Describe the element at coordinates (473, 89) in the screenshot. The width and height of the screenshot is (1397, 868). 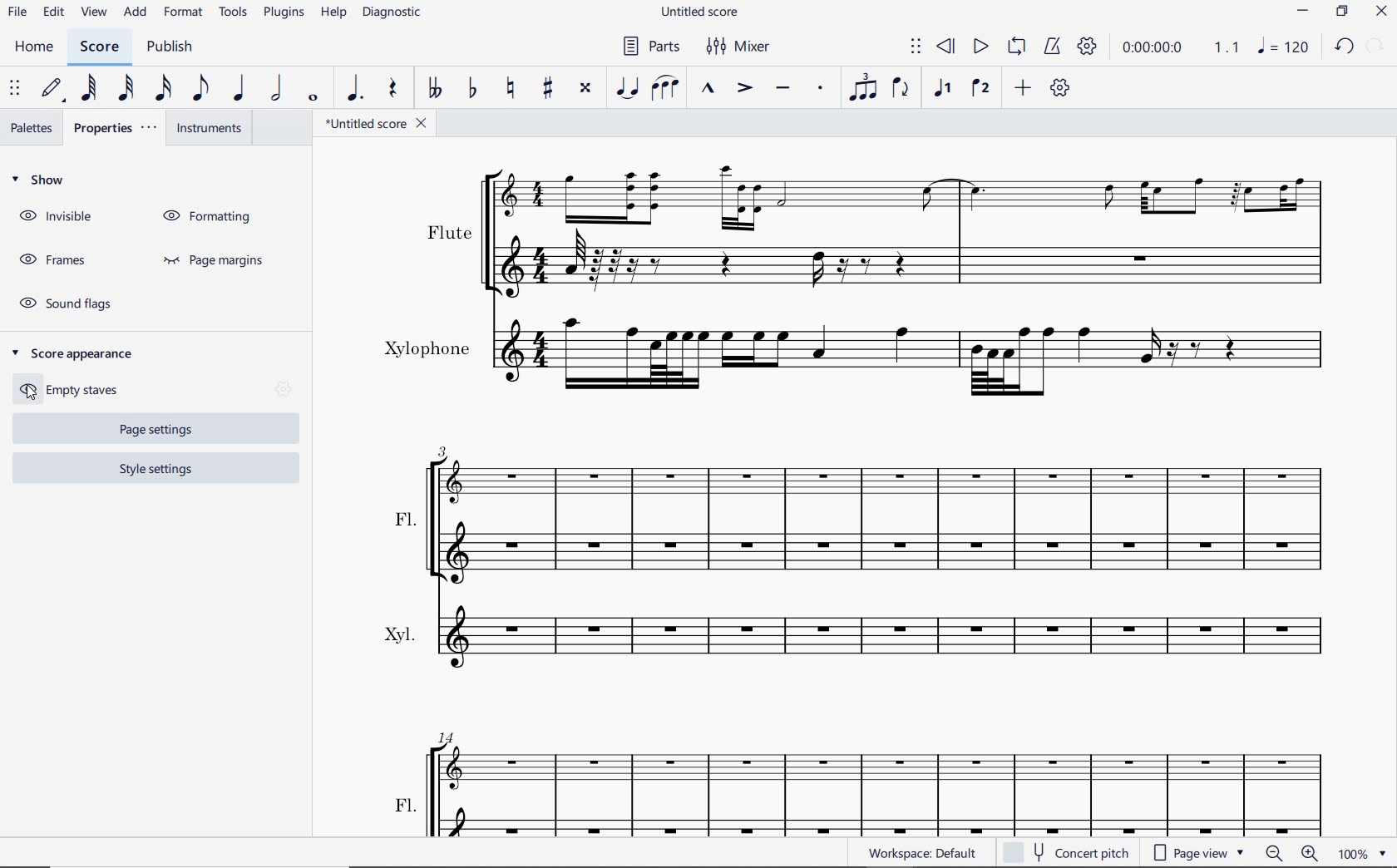
I see `TOGGLE FLAT` at that location.